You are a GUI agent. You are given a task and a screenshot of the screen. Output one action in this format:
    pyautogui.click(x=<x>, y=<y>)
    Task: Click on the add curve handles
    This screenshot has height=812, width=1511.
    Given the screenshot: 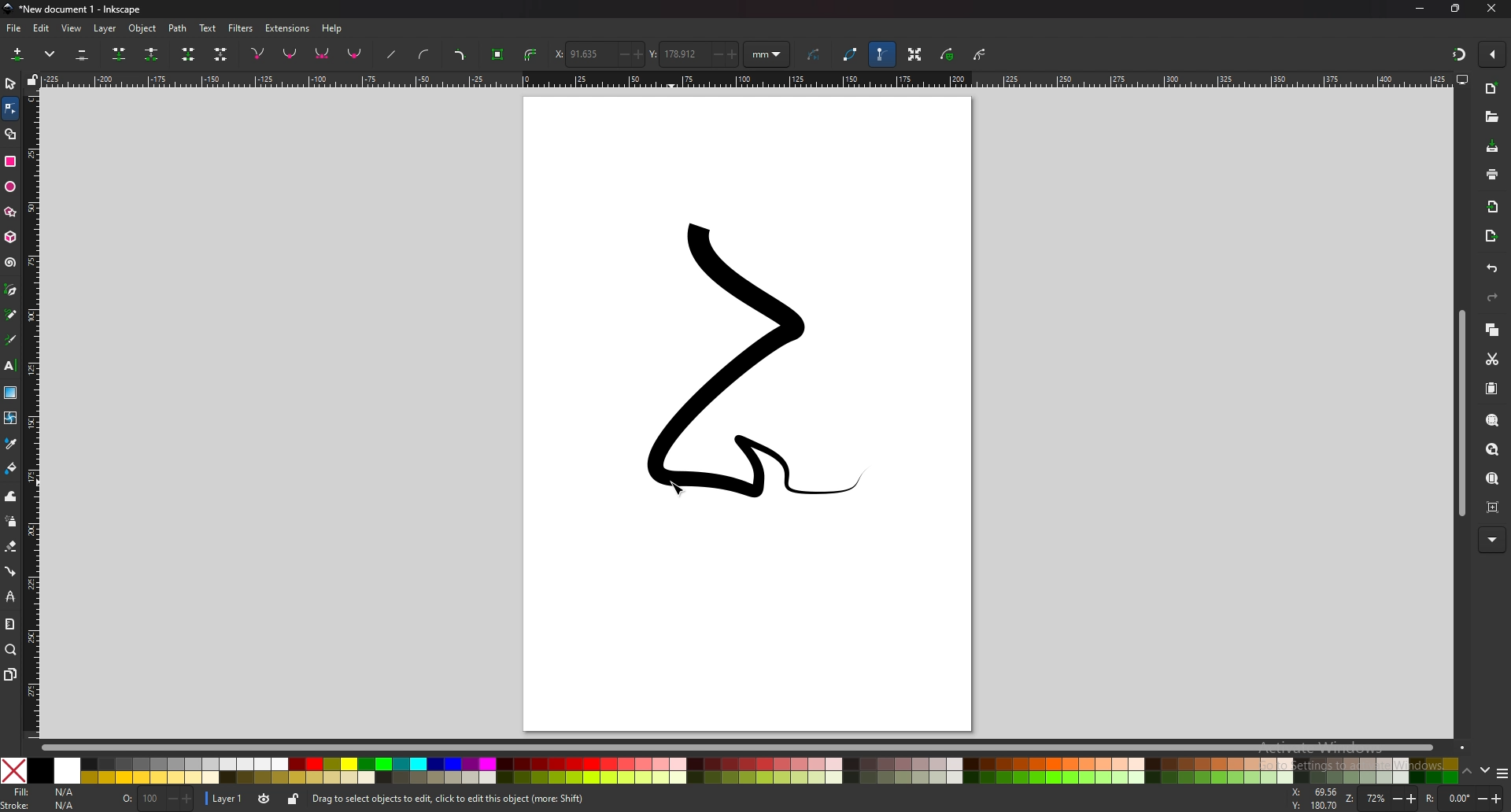 What is the action you would take?
    pyautogui.click(x=427, y=54)
    